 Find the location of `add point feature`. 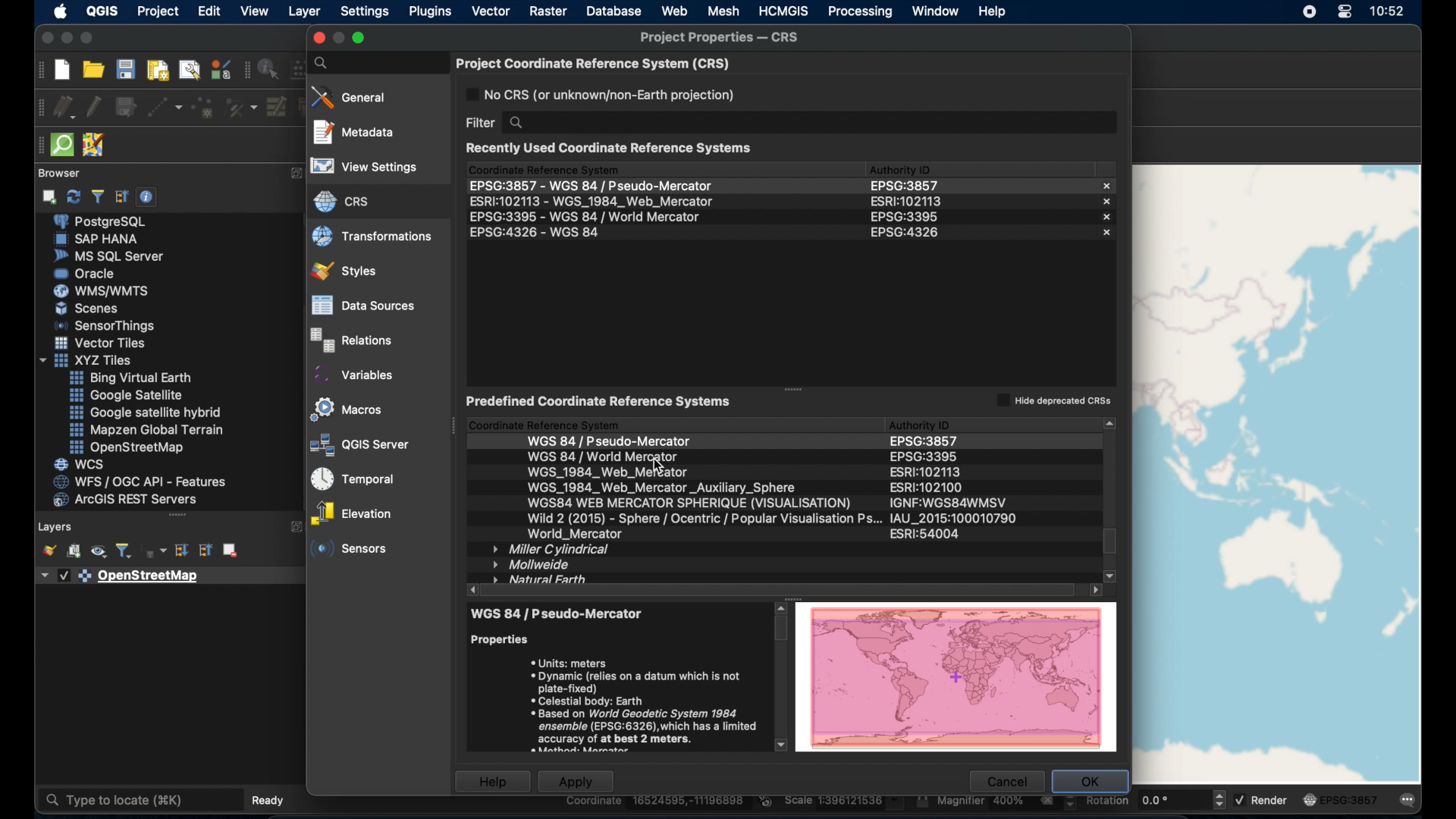

add point feature is located at coordinates (204, 108).